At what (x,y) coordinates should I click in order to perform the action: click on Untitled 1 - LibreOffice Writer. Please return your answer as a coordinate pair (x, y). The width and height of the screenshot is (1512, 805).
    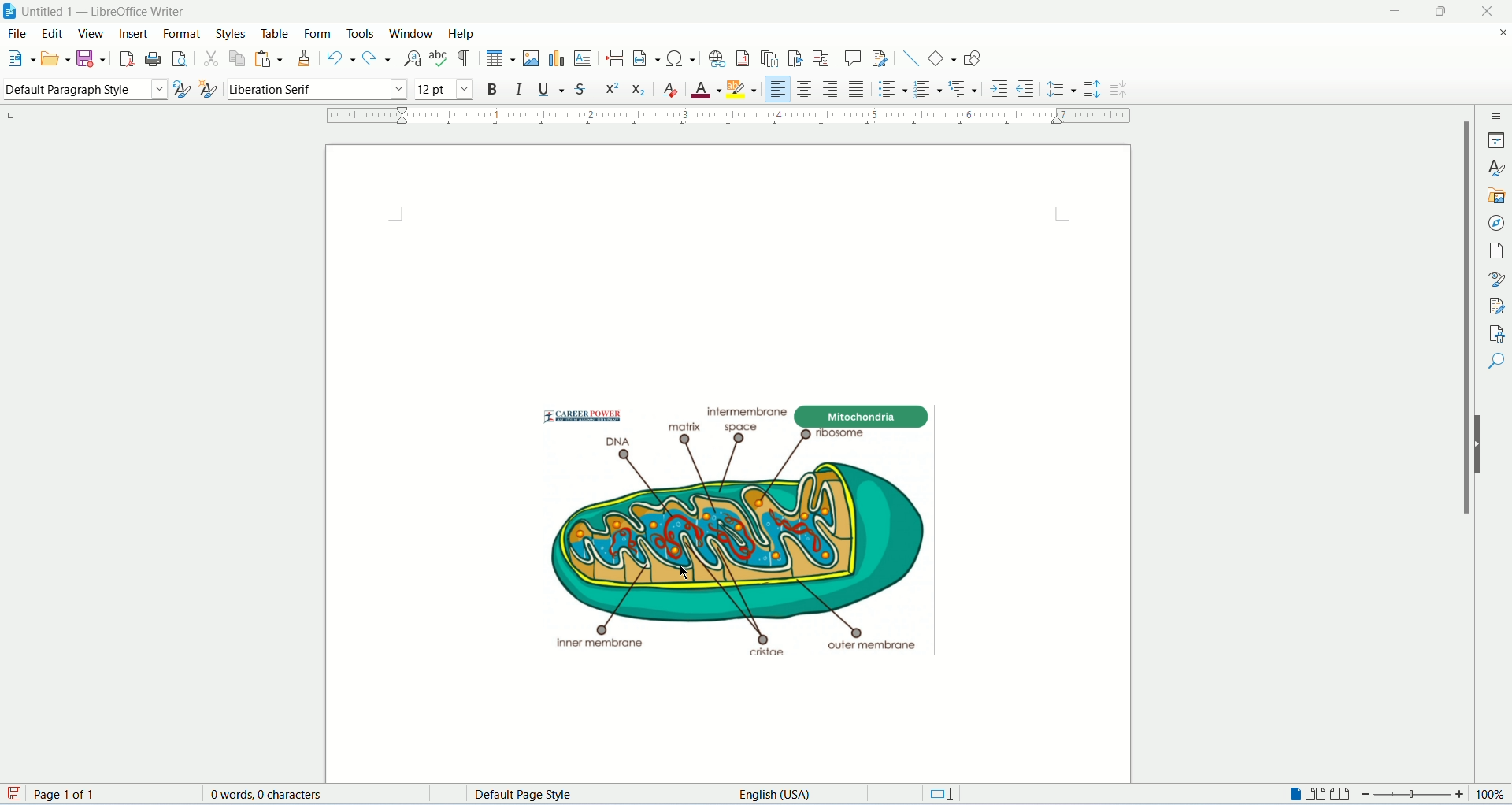
    Looking at the image, I should click on (117, 10).